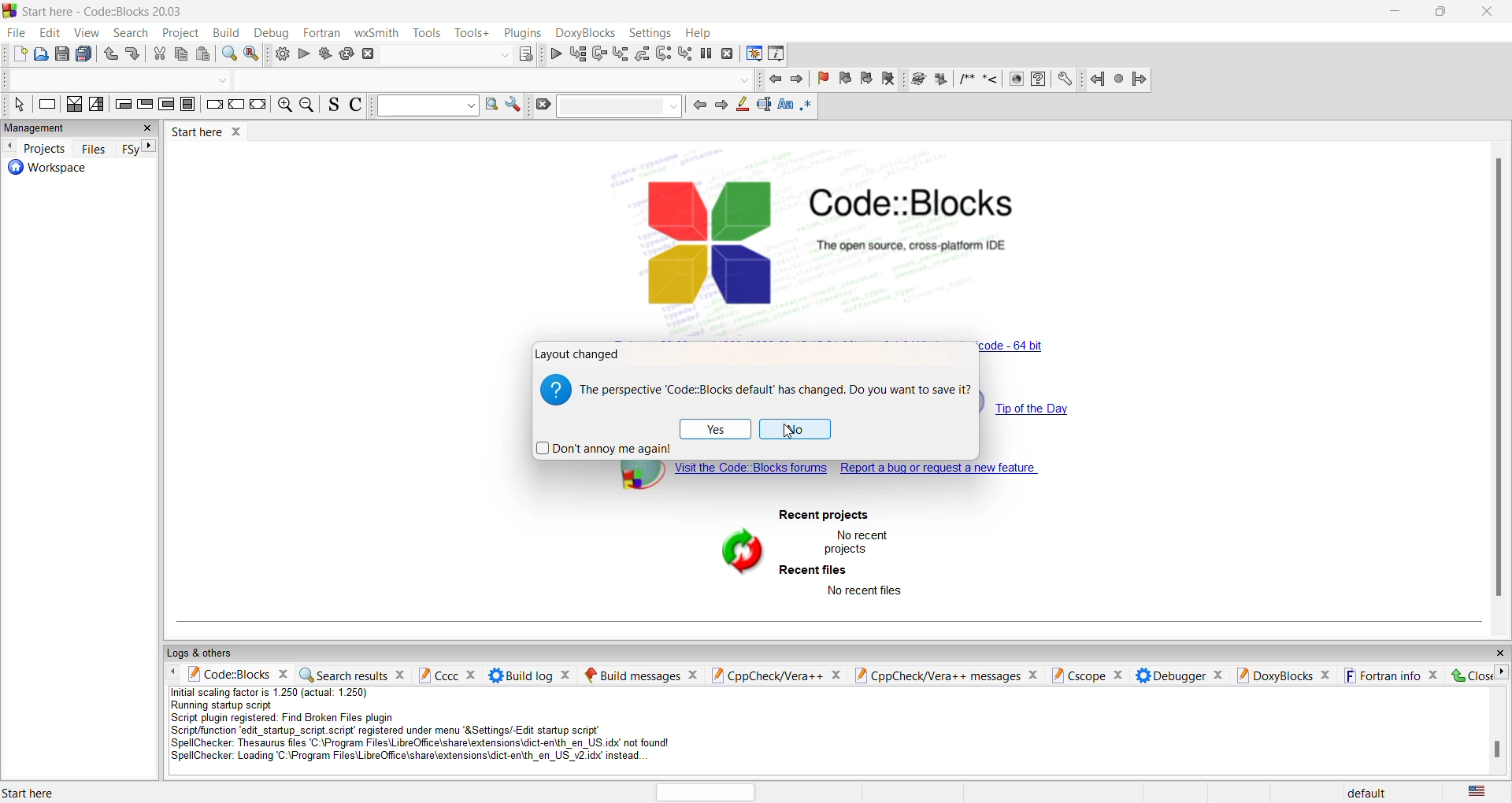  I want to click on close, so click(1120, 675).